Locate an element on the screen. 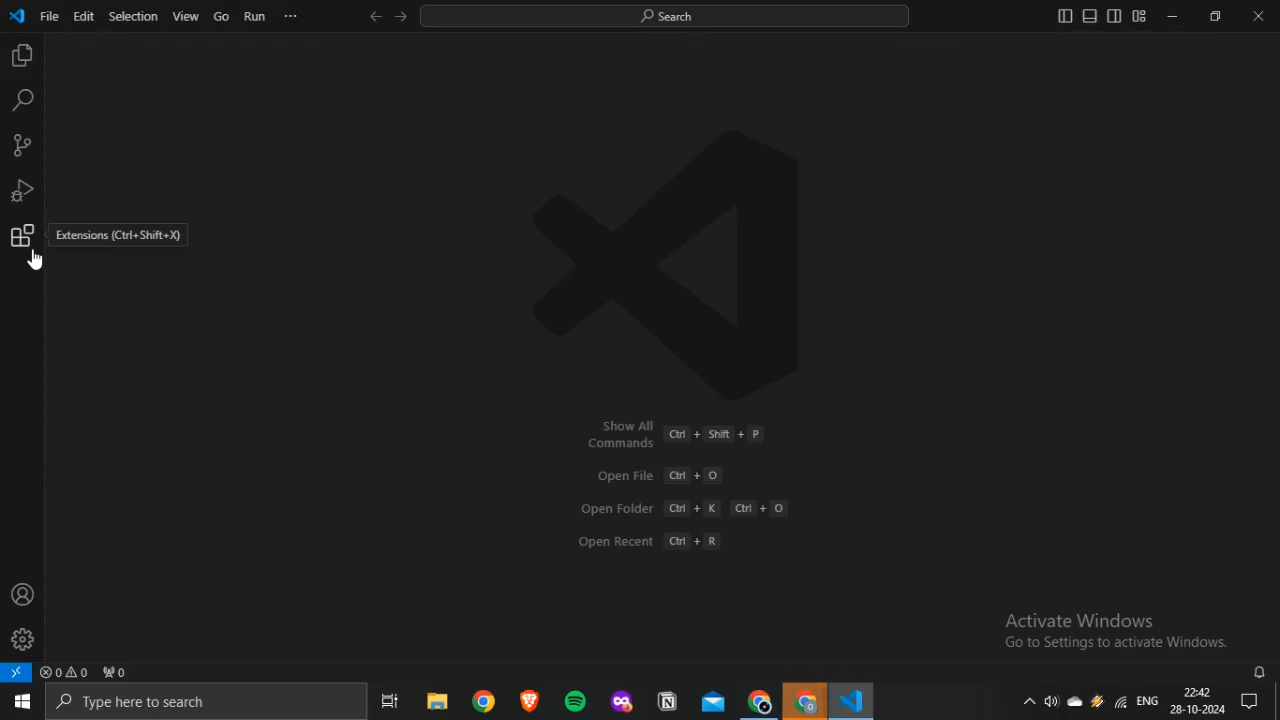 The width and height of the screenshot is (1280, 720). spotify is located at coordinates (576, 701).